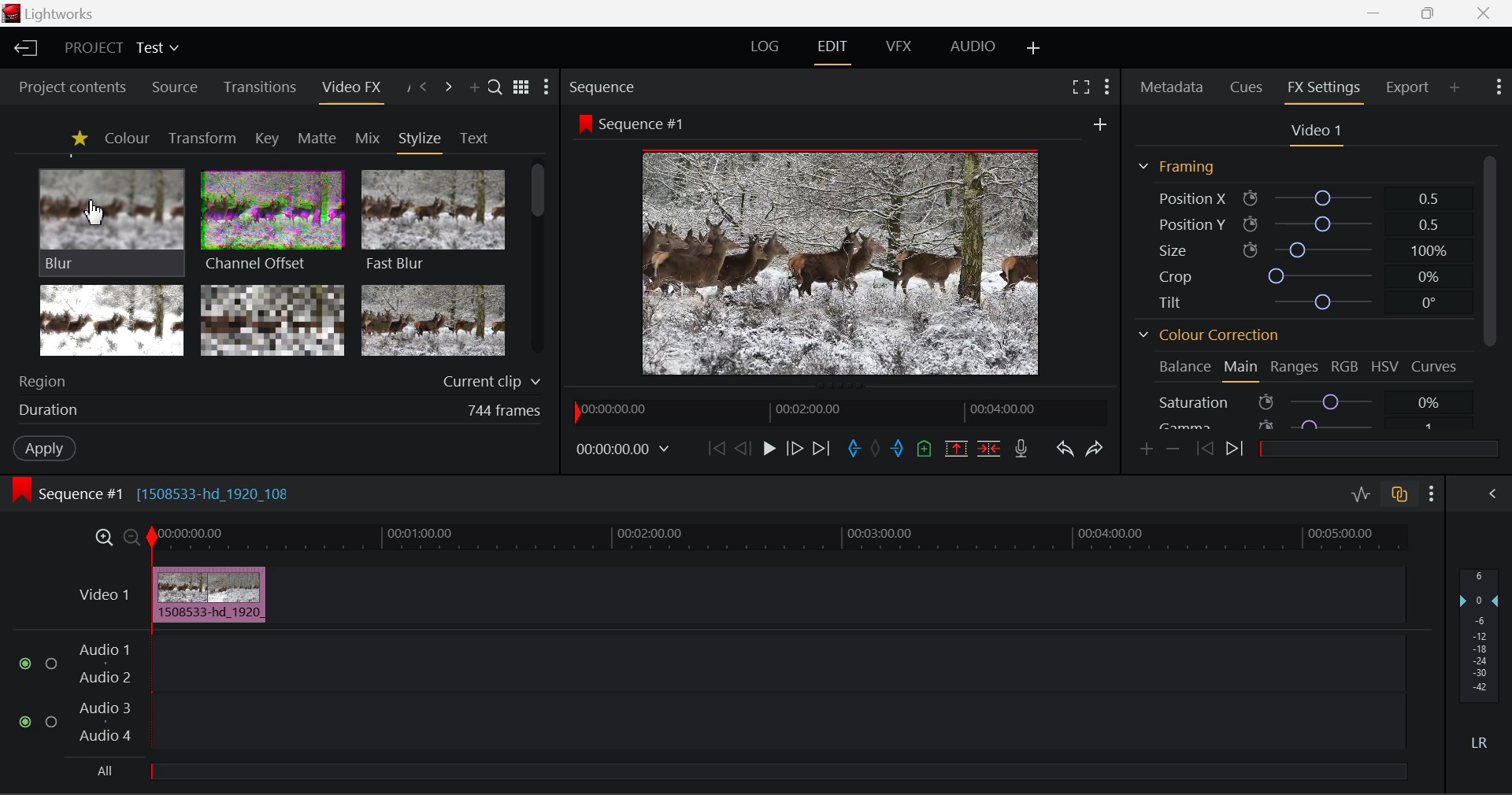 The image size is (1512, 795). What do you see at coordinates (172, 86) in the screenshot?
I see `Source` at bounding box center [172, 86].